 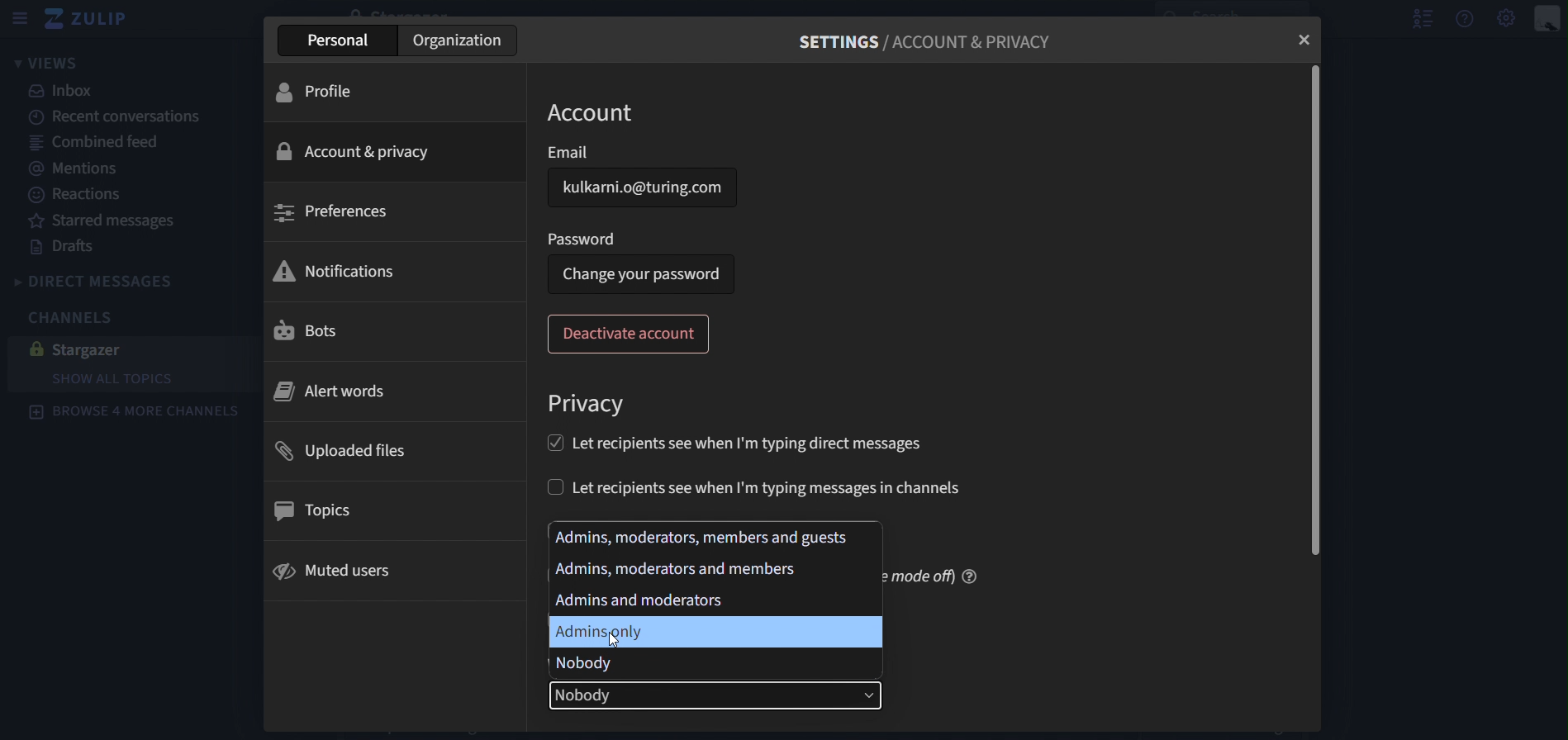 I want to click on admins only, so click(x=600, y=632).